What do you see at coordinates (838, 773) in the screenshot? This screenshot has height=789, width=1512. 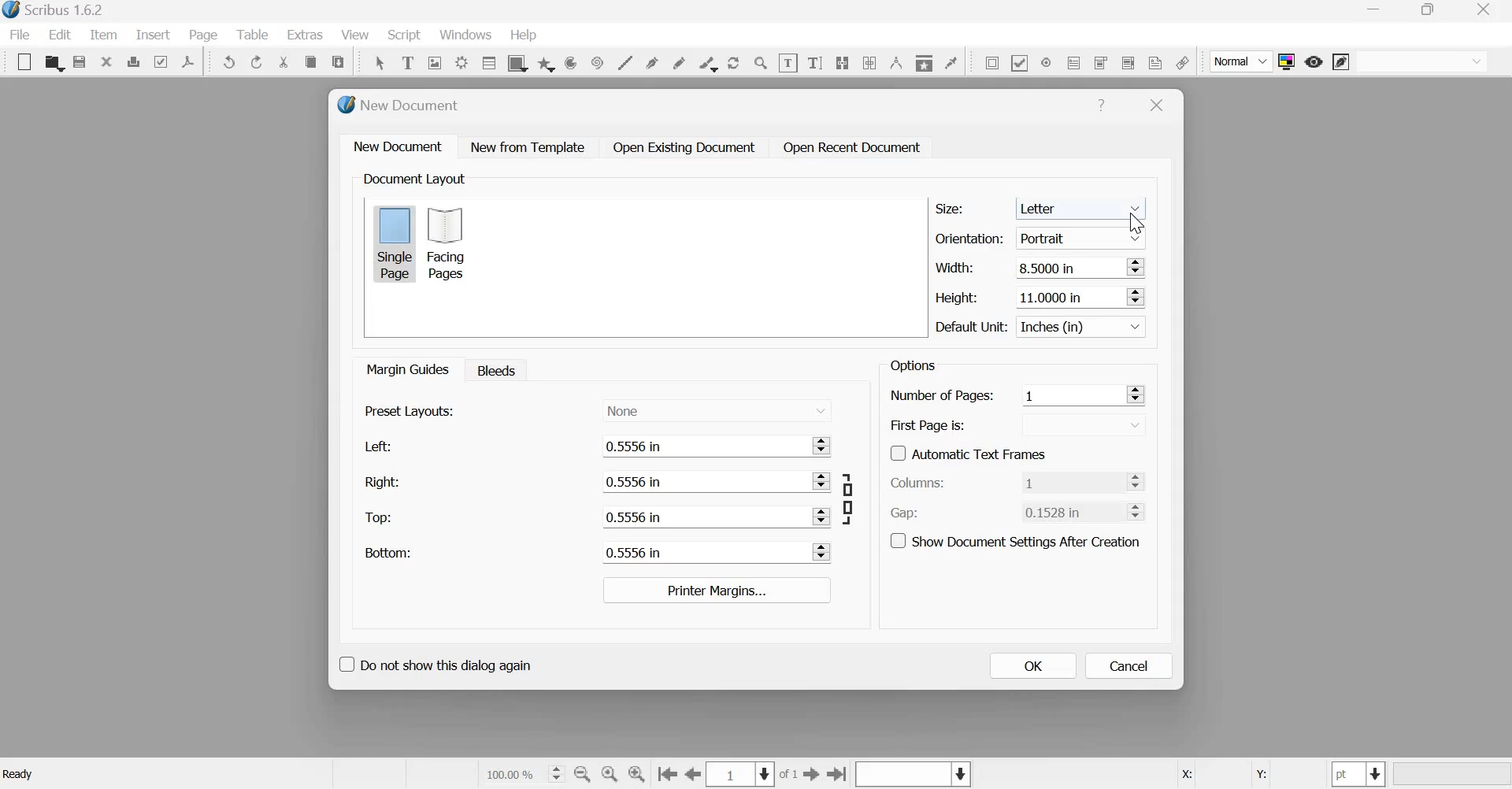 I see `Go to the last page` at bounding box center [838, 773].